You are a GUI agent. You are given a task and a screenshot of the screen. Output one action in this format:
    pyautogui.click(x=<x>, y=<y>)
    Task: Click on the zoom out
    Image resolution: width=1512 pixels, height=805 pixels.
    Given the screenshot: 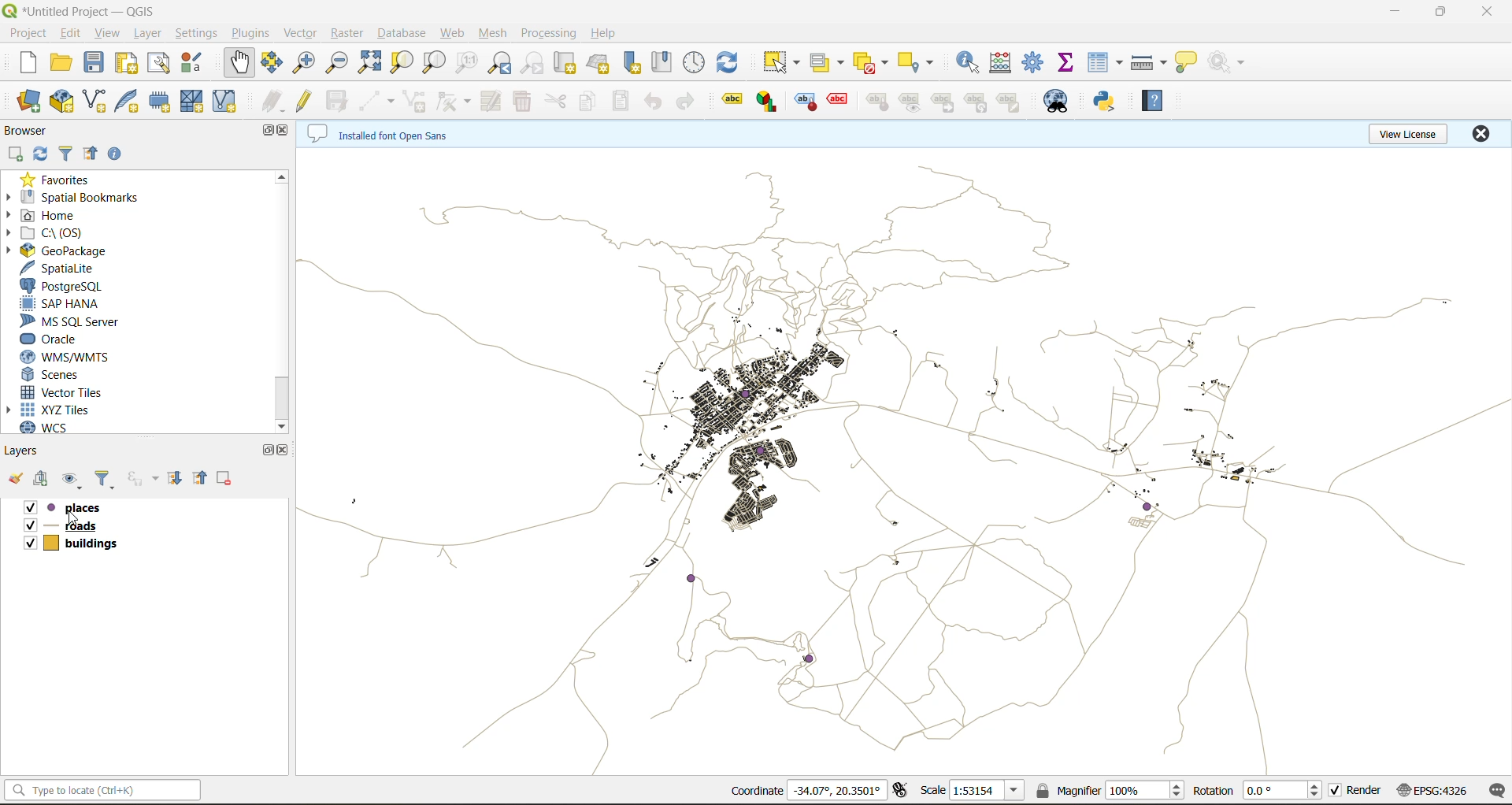 What is the action you would take?
    pyautogui.click(x=336, y=65)
    